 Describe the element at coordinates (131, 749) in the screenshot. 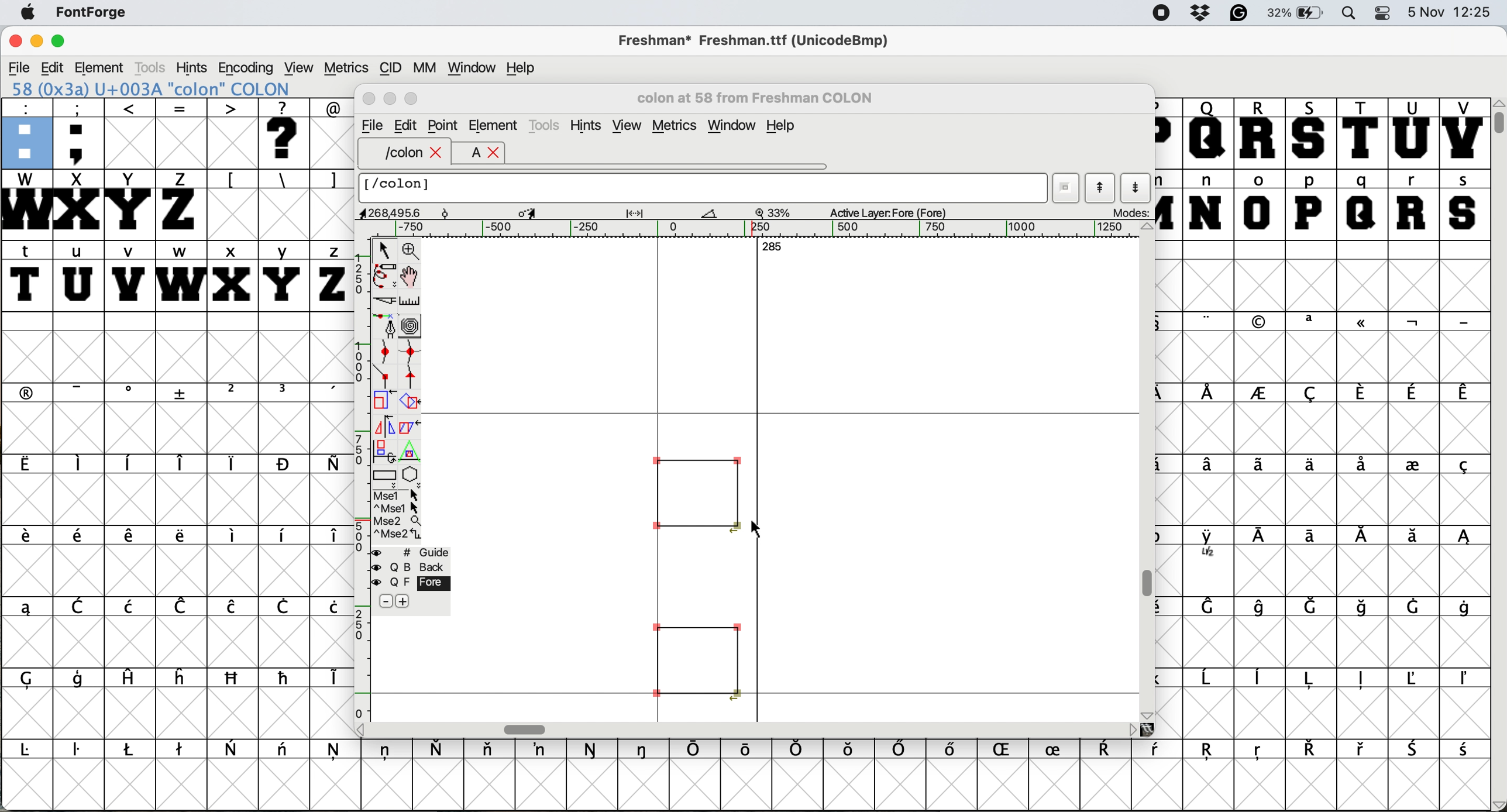

I see `symbol` at that location.